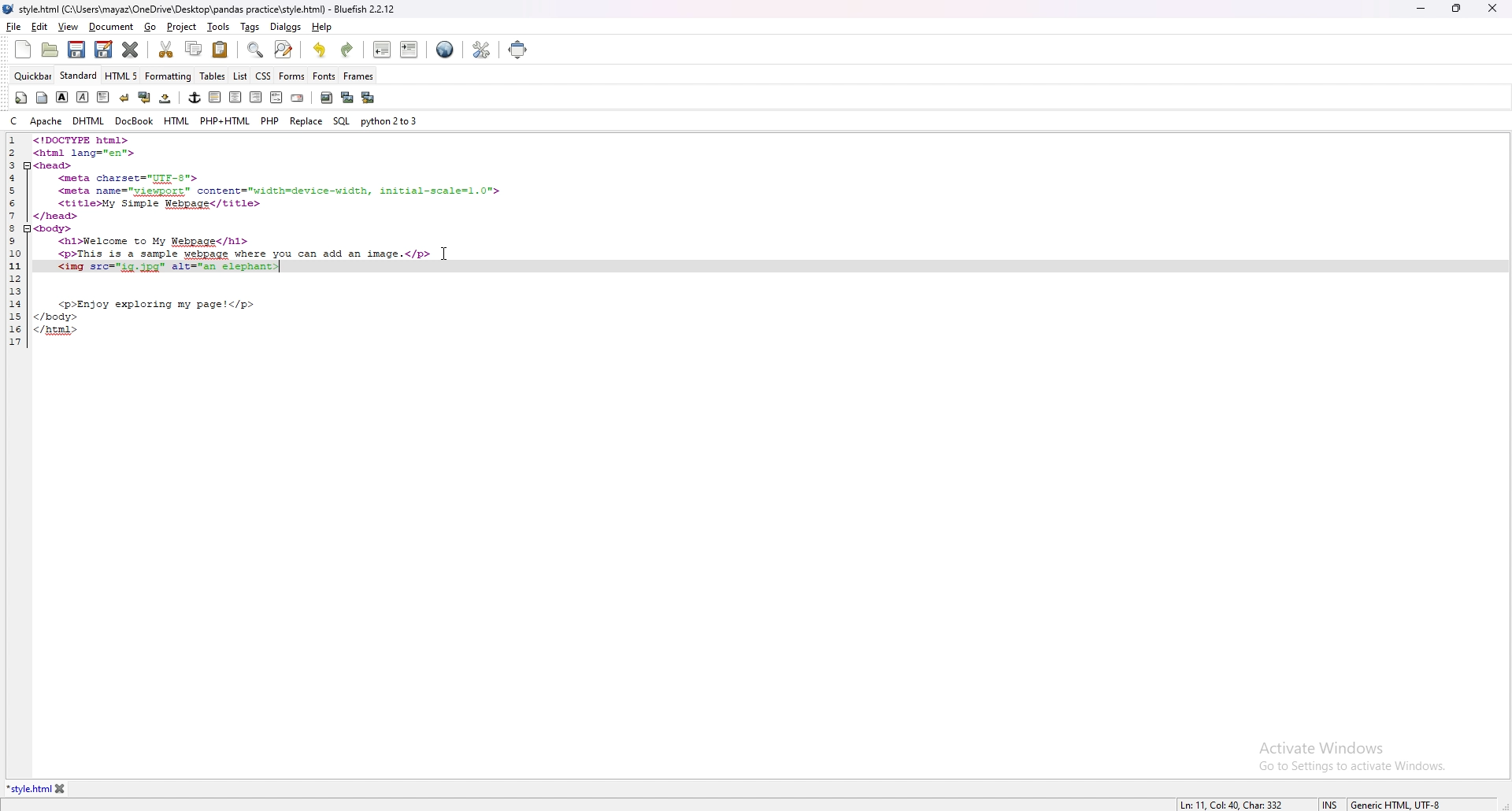 The width and height of the screenshot is (1512, 811). I want to click on style.htm| (C:A\Users\mayaz\OneDrive\Desktop\pandas practice\style.html) - Bluefish 2.2.12, so click(209, 9).